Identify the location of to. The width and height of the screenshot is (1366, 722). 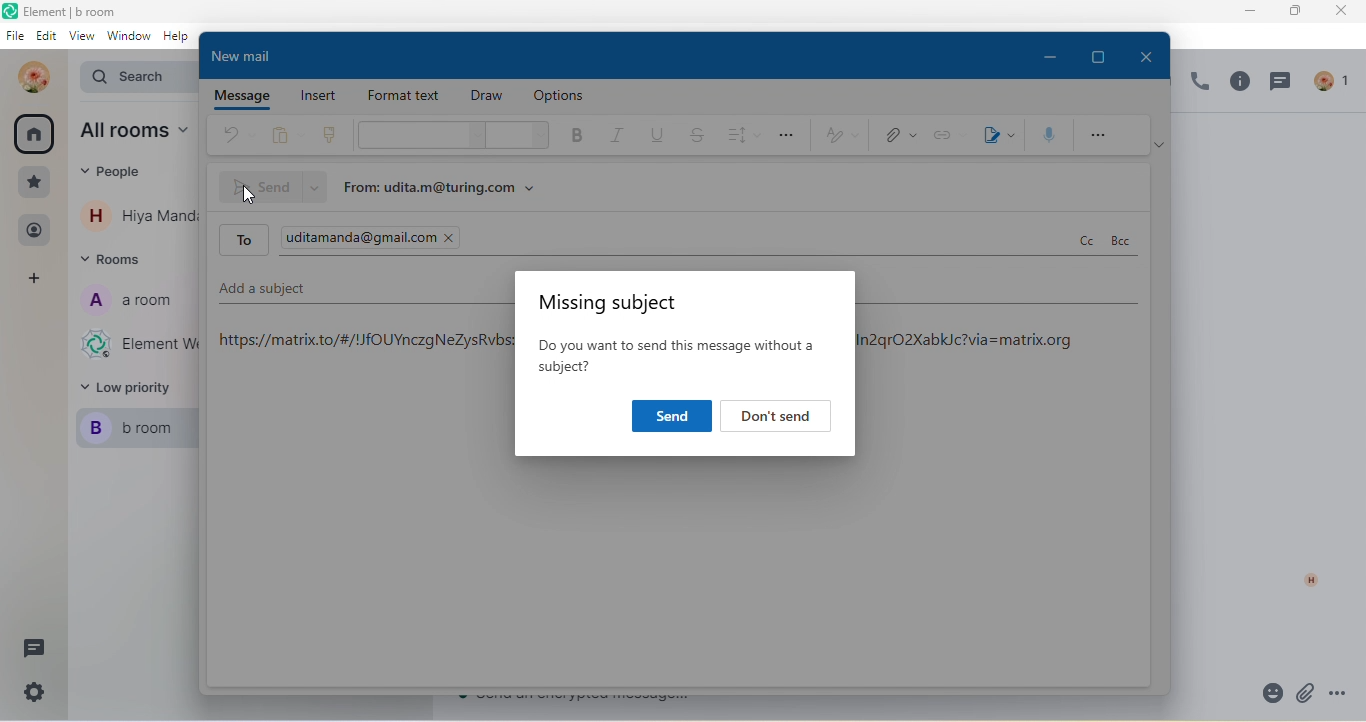
(679, 239).